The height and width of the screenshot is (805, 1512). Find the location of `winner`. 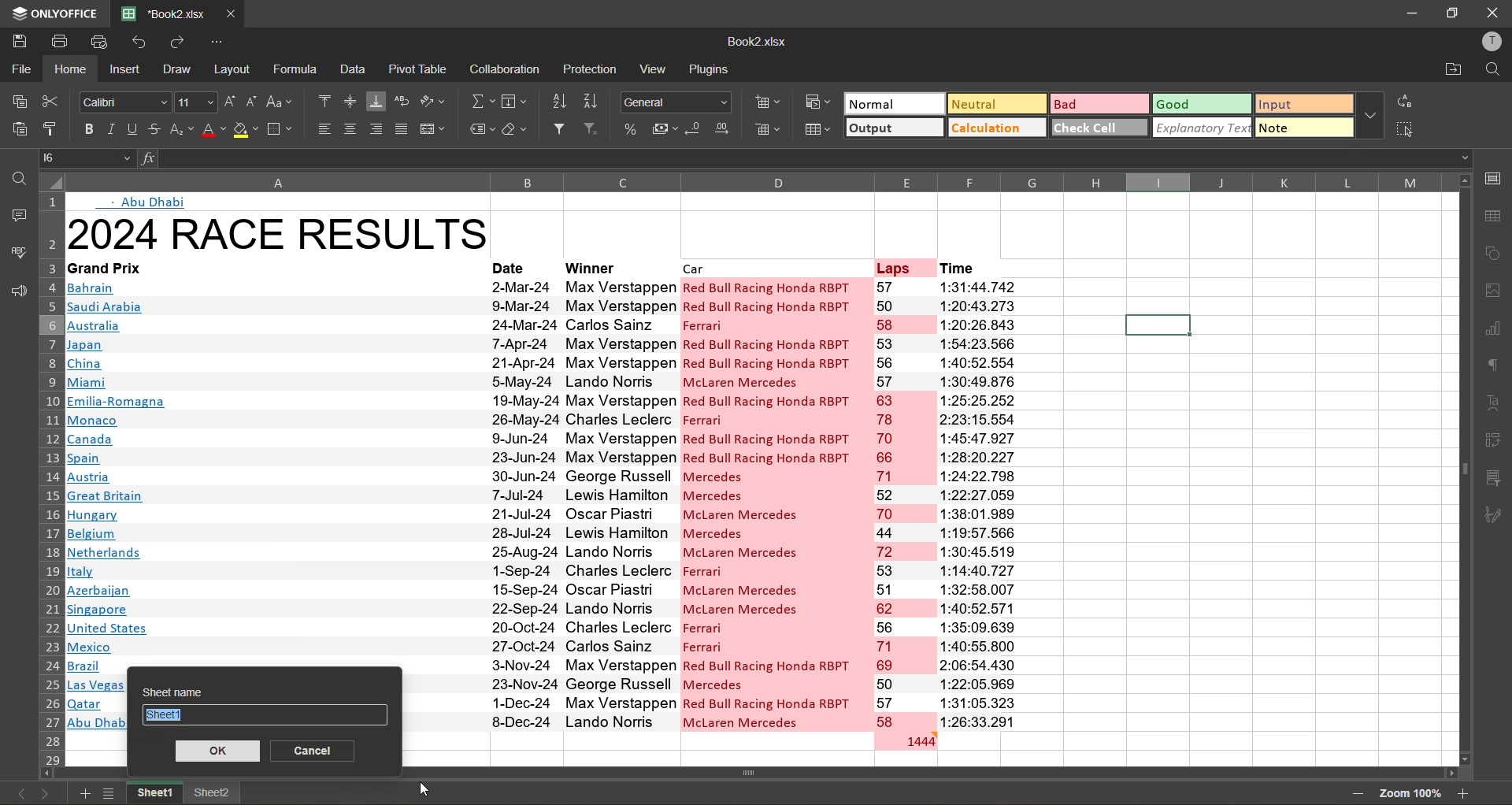

winner is located at coordinates (616, 265).